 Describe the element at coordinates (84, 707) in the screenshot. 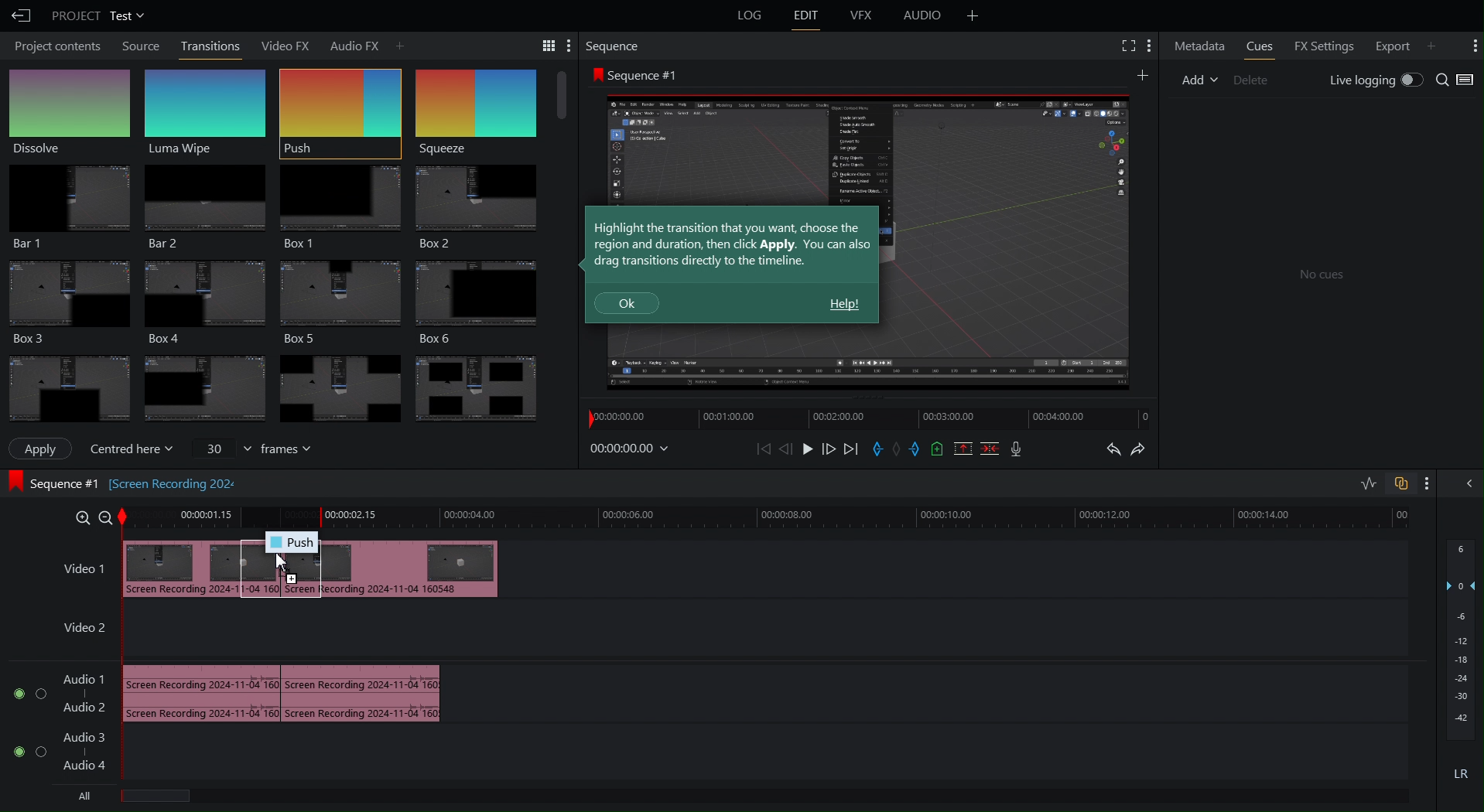

I see `Audio track 2` at that location.